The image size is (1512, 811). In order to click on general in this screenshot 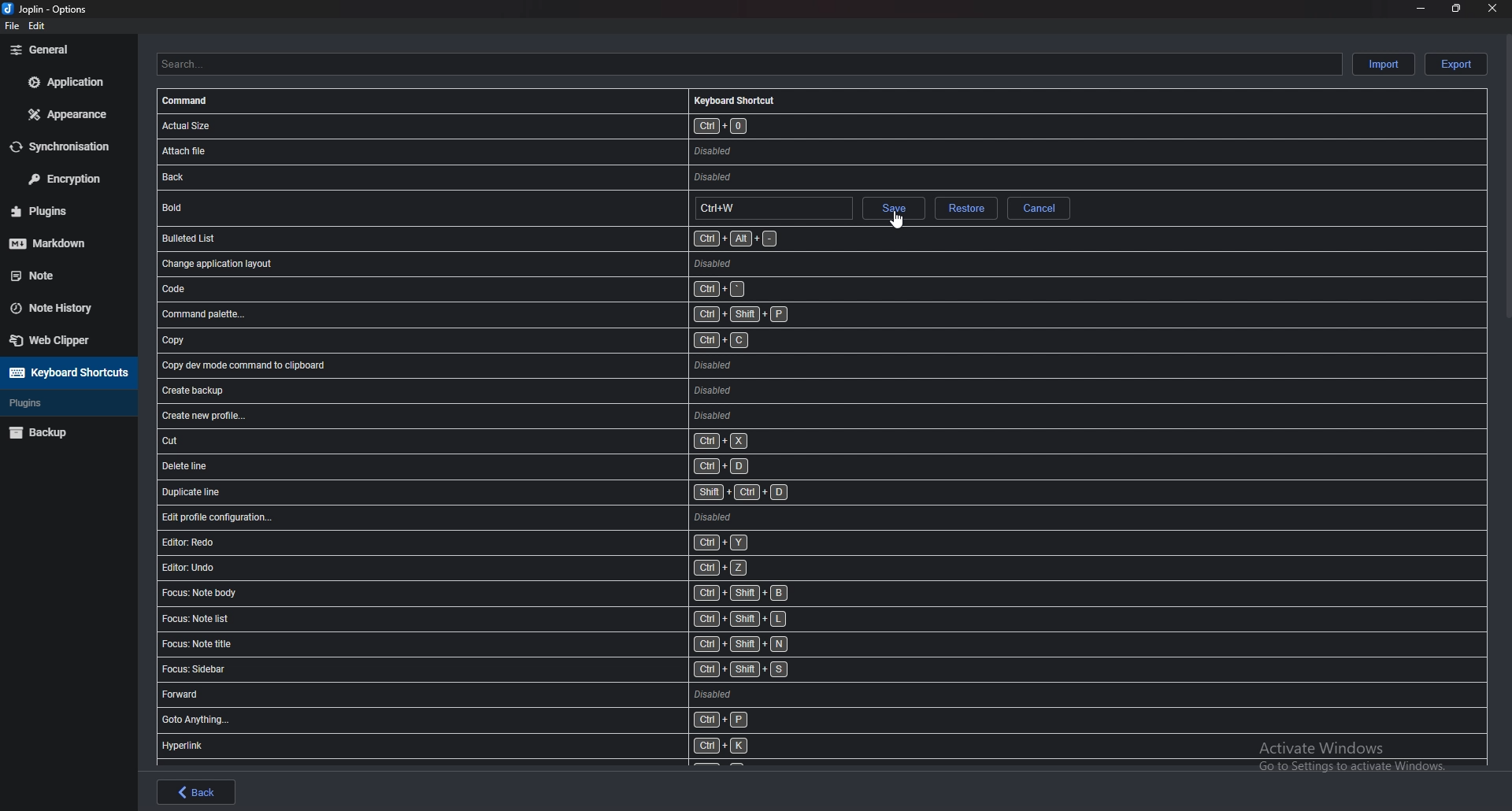, I will do `click(65, 50)`.